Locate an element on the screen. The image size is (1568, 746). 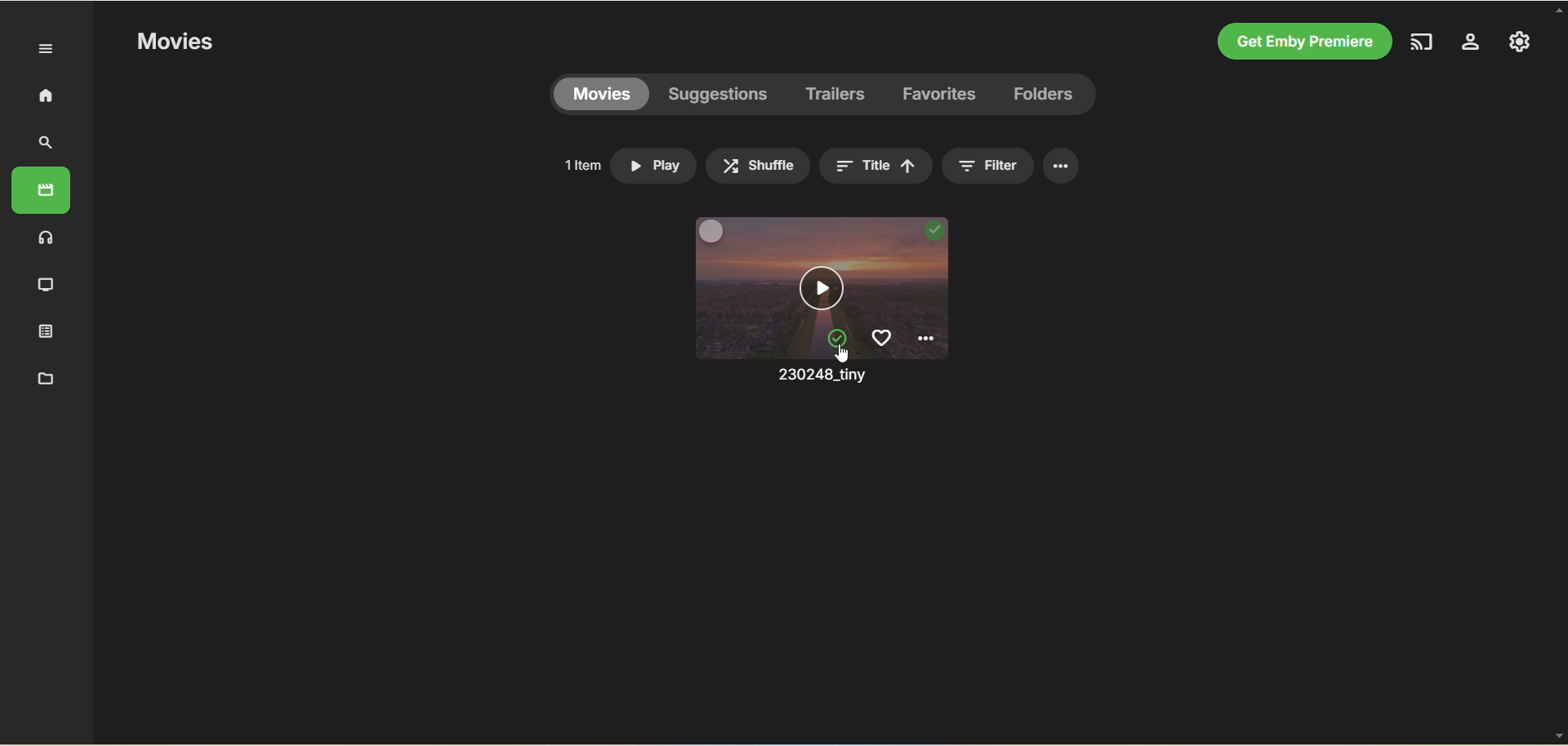
title is located at coordinates (876, 165).